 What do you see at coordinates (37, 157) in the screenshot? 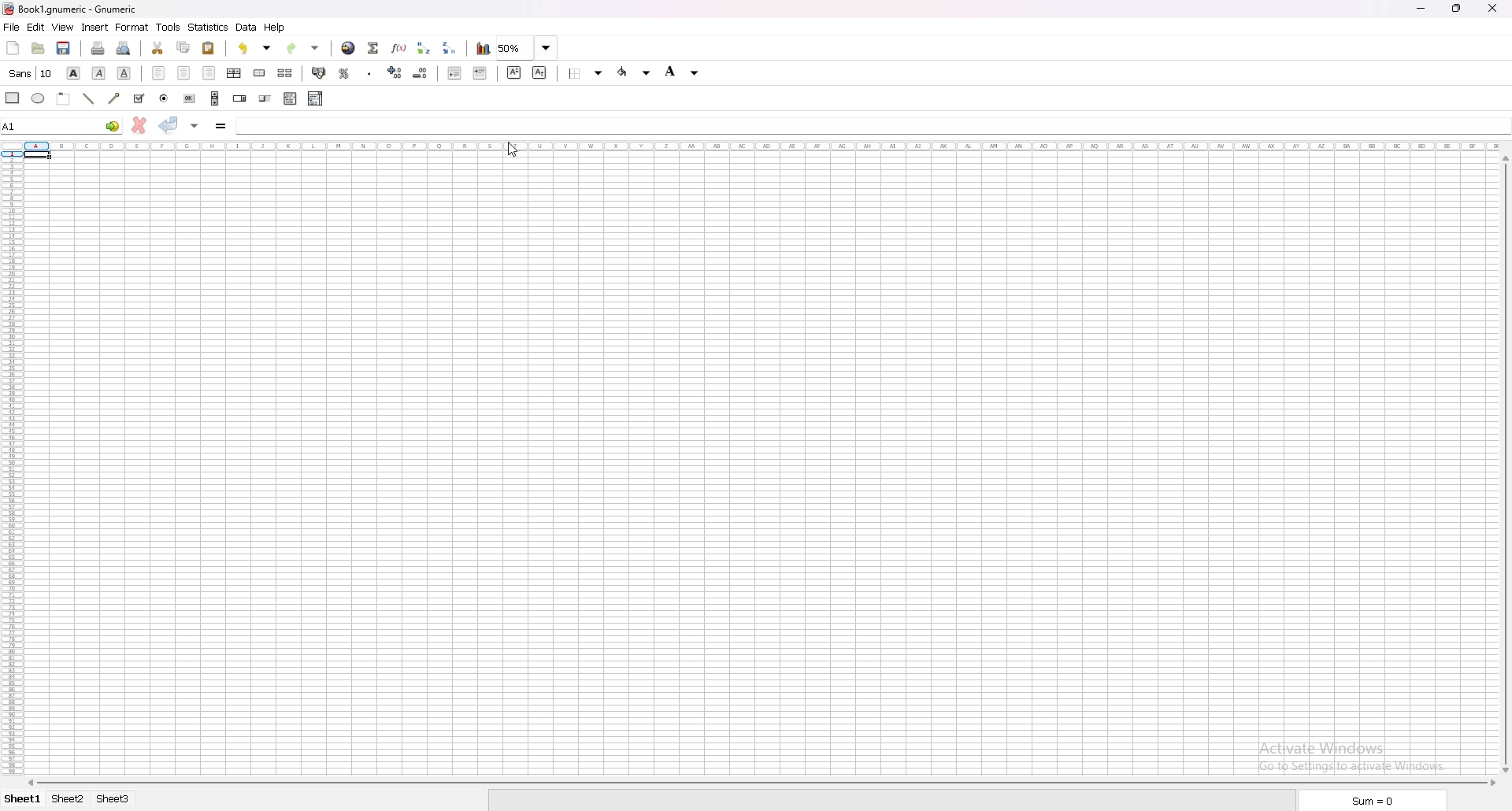
I see `selected cell` at bounding box center [37, 157].